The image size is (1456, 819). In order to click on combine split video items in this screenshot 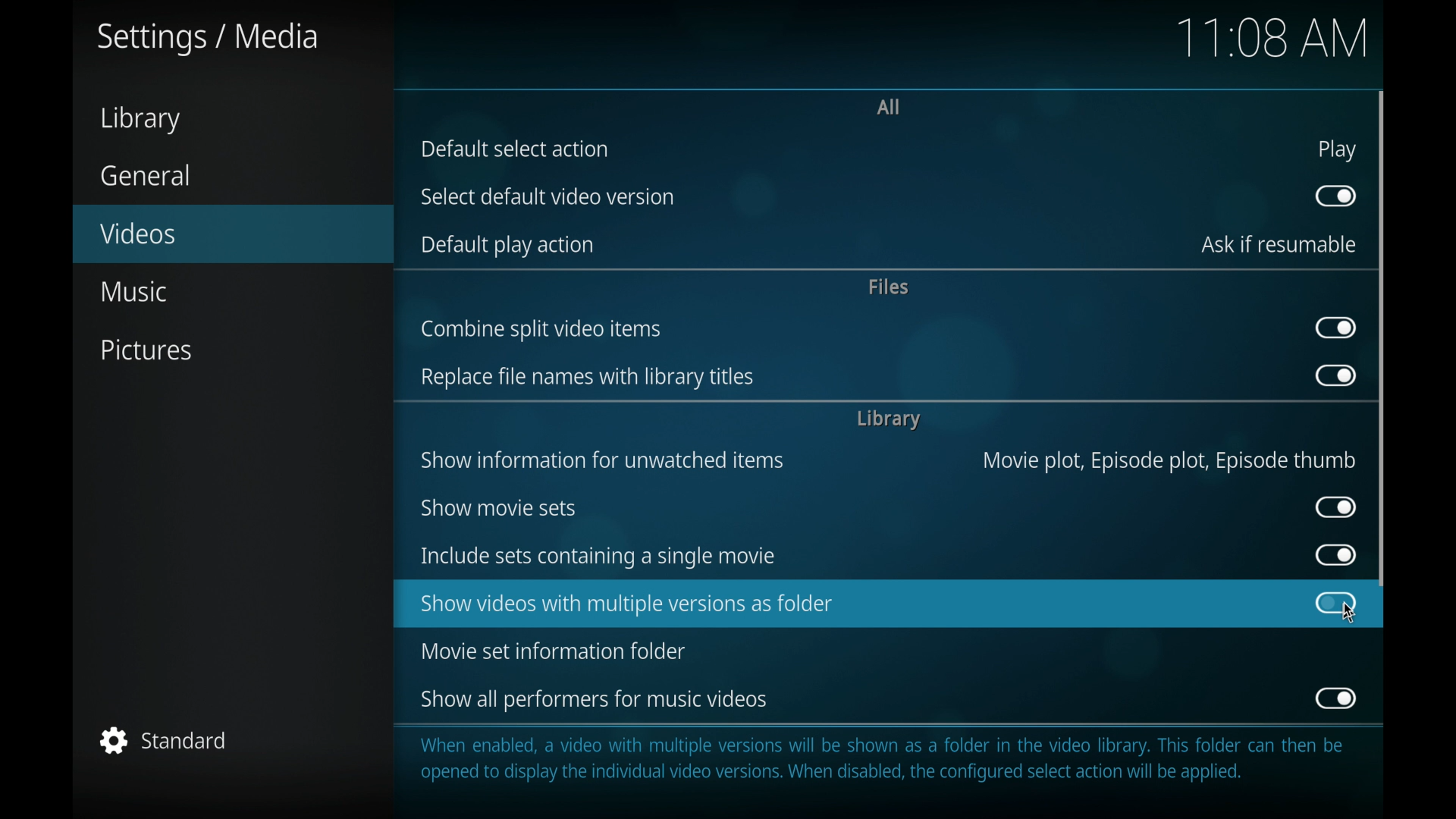, I will do `click(541, 330)`.